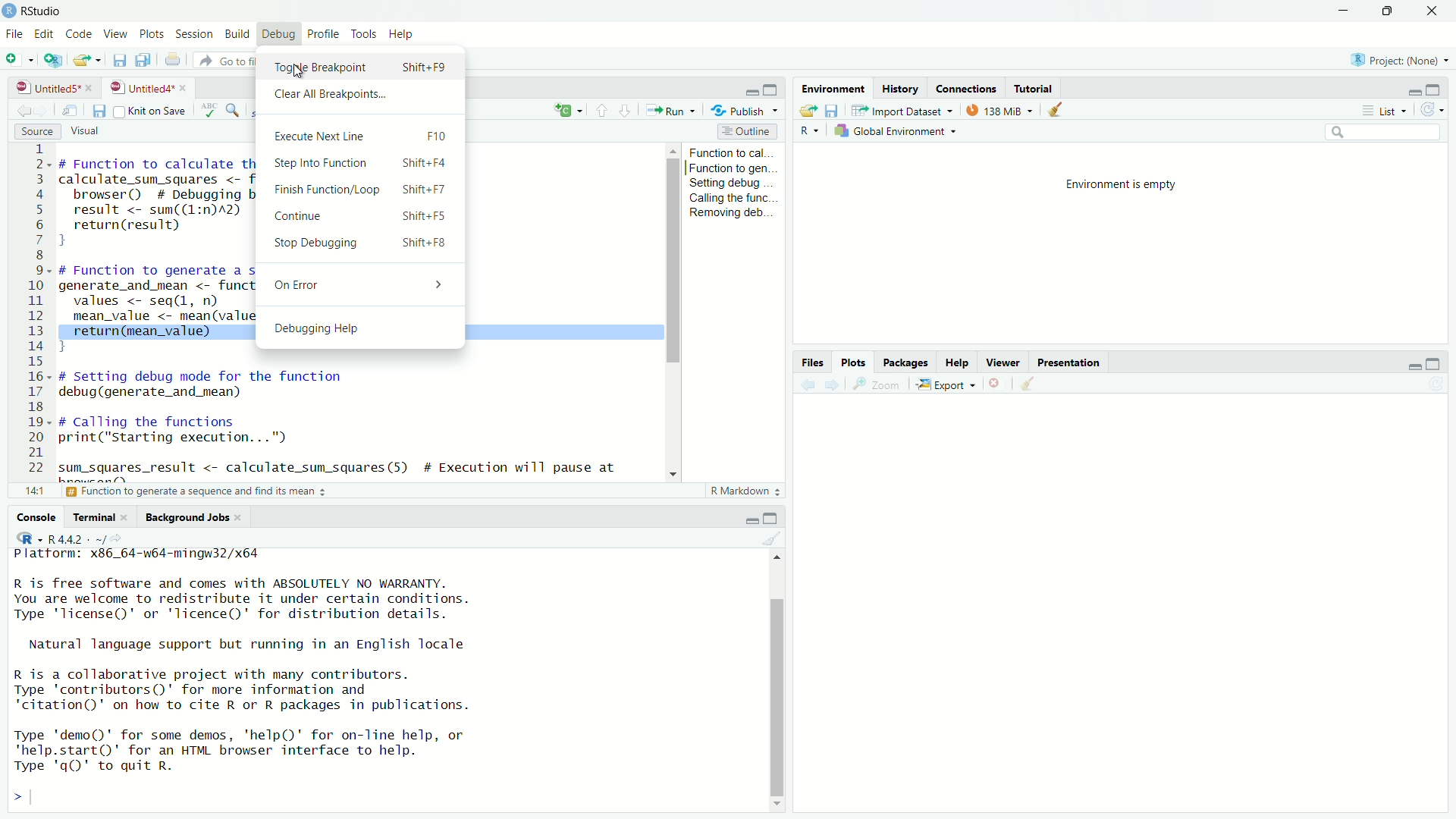  I want to click on maximize, so click(1439, 359).